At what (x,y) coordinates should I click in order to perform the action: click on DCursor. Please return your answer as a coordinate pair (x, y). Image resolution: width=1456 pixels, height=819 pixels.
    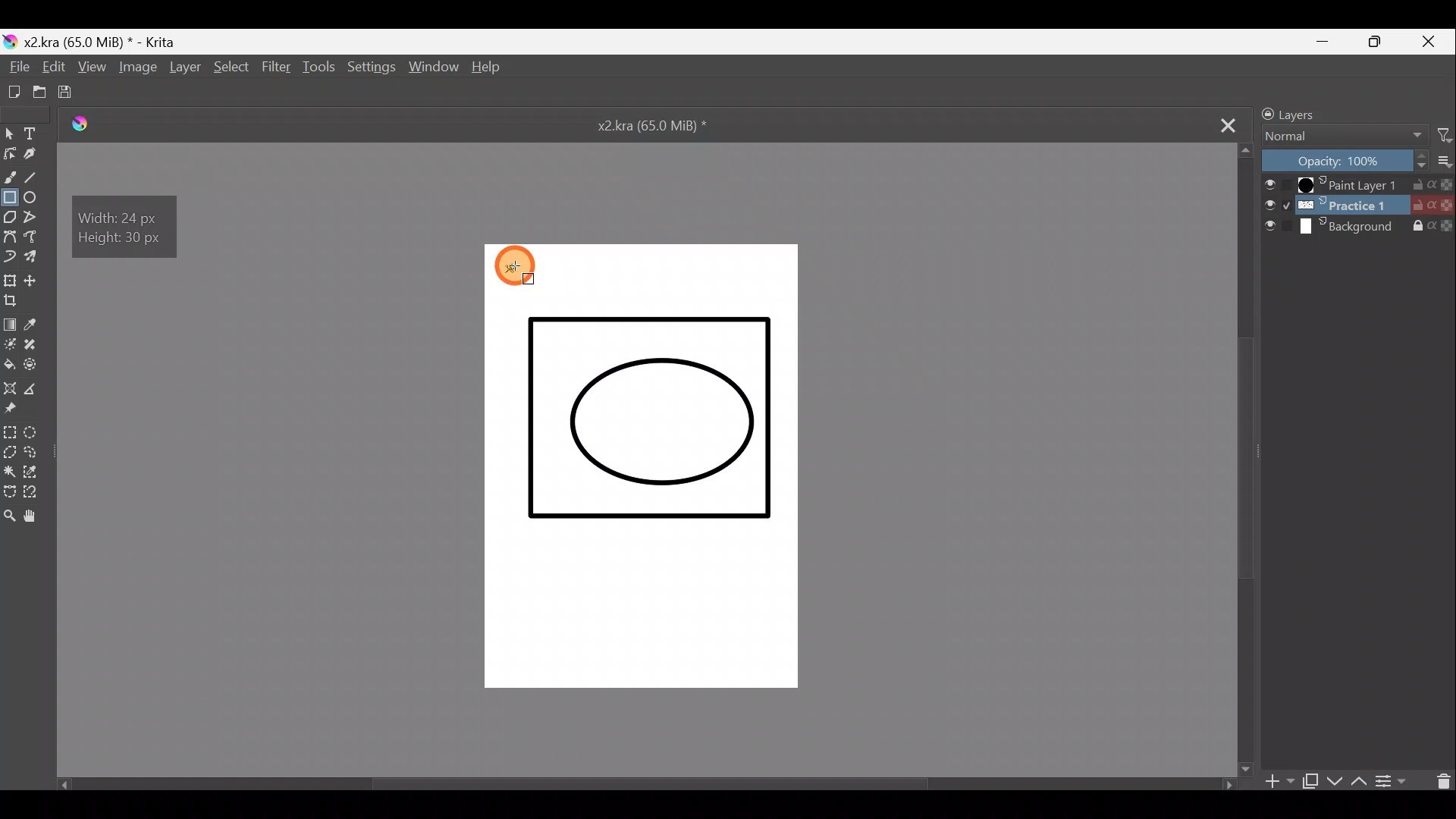
    Looking at the image, I should click on (519, 265).